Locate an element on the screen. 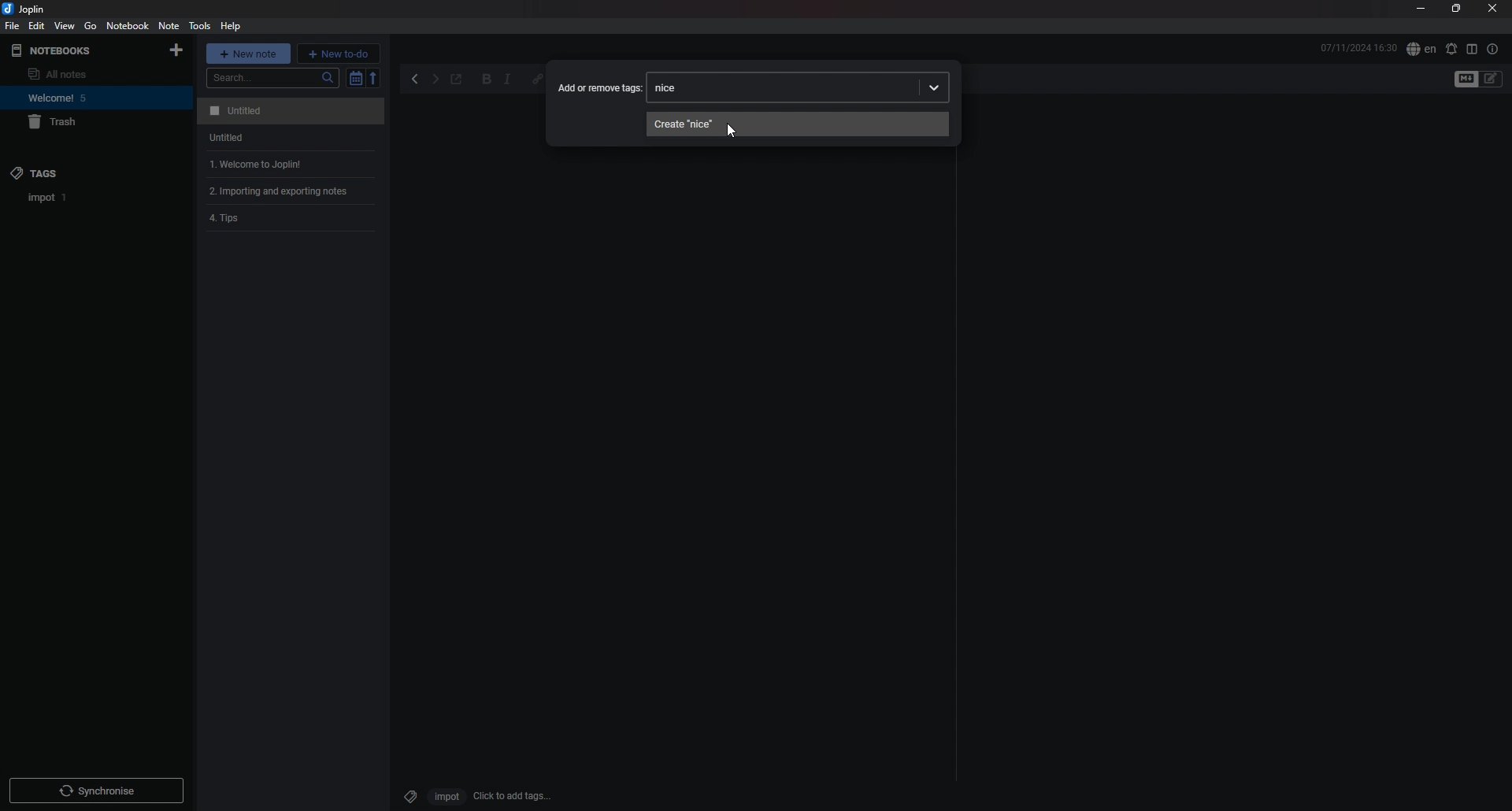 This screenshot has height=811, width=1512. input box is located at coordinates (824, 87).